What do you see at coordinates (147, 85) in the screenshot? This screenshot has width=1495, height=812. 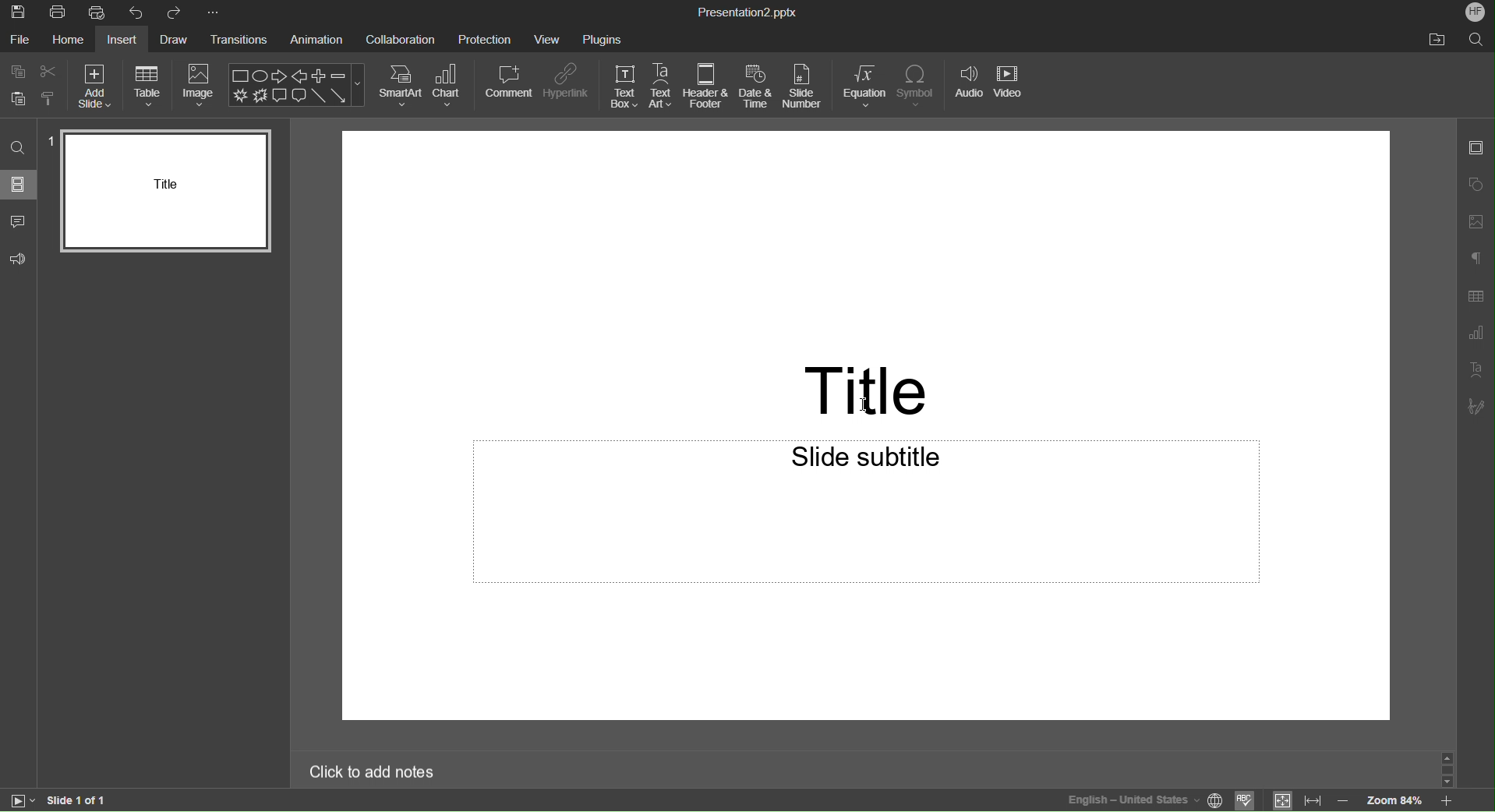 I see `Table` at bounding box center [147, 85].